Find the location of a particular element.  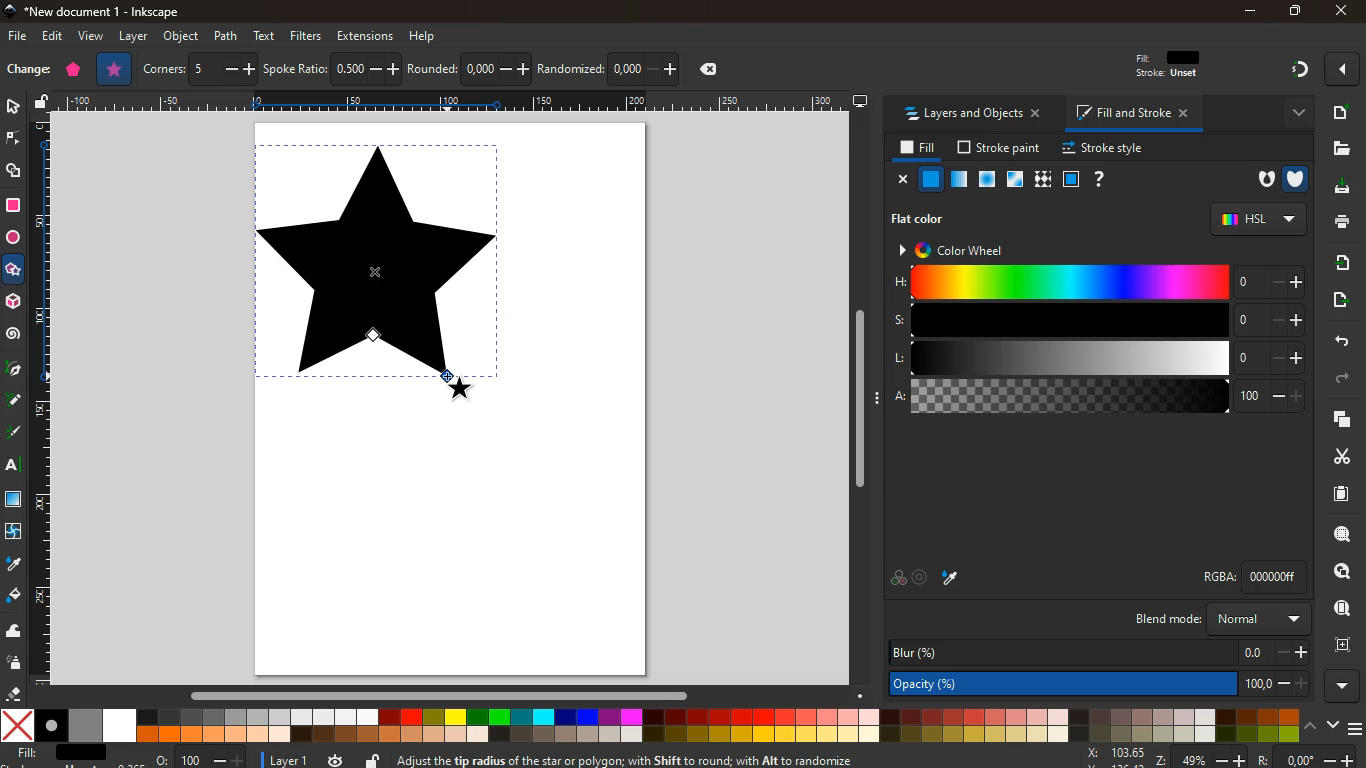

cut is located at coordinates (1338, 457).